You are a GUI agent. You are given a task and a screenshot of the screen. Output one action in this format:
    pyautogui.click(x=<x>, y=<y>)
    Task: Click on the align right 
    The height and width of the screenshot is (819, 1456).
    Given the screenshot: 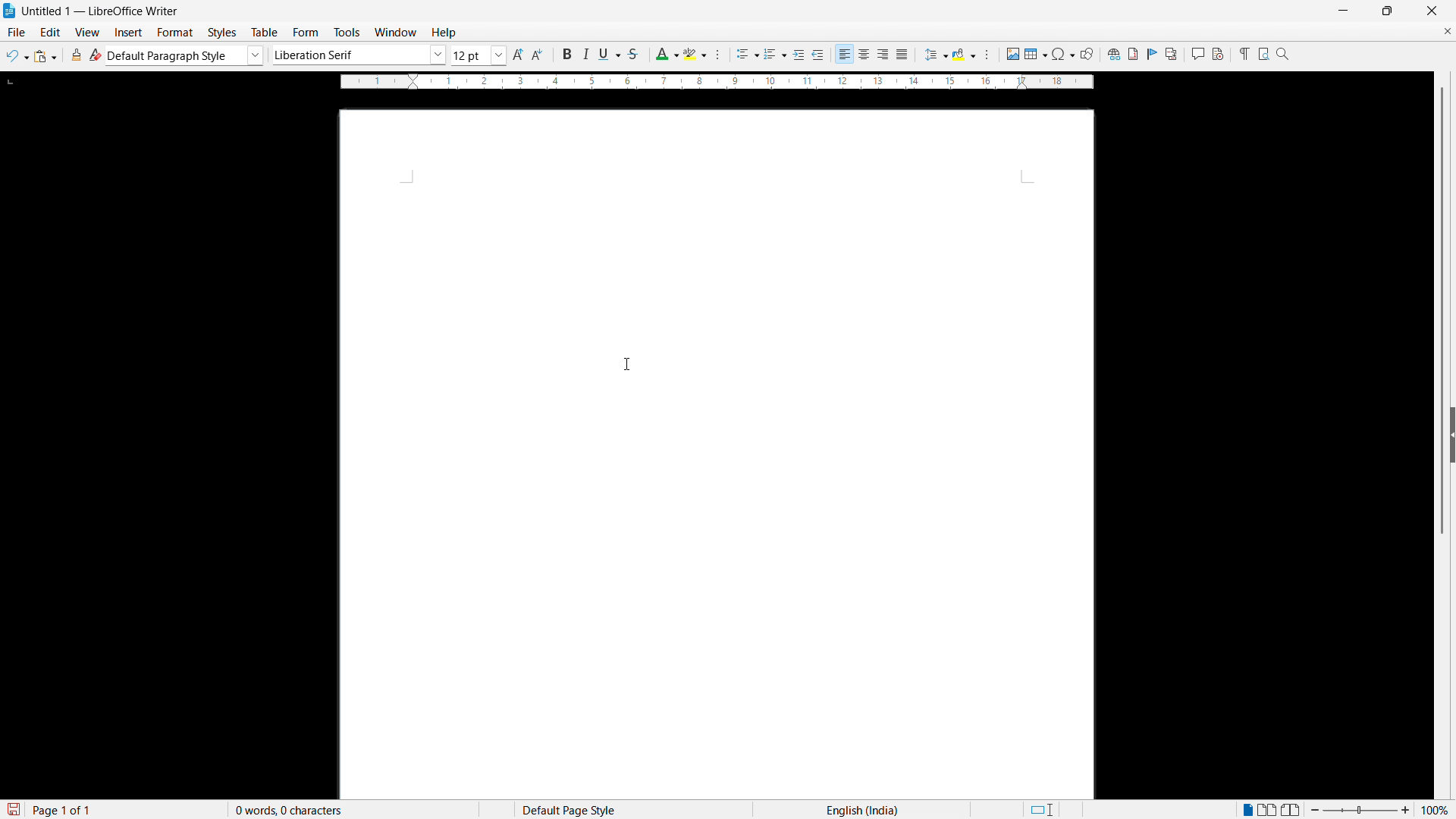 What is the action you would take?
    pyautogui.click(x=883, y=55)
    